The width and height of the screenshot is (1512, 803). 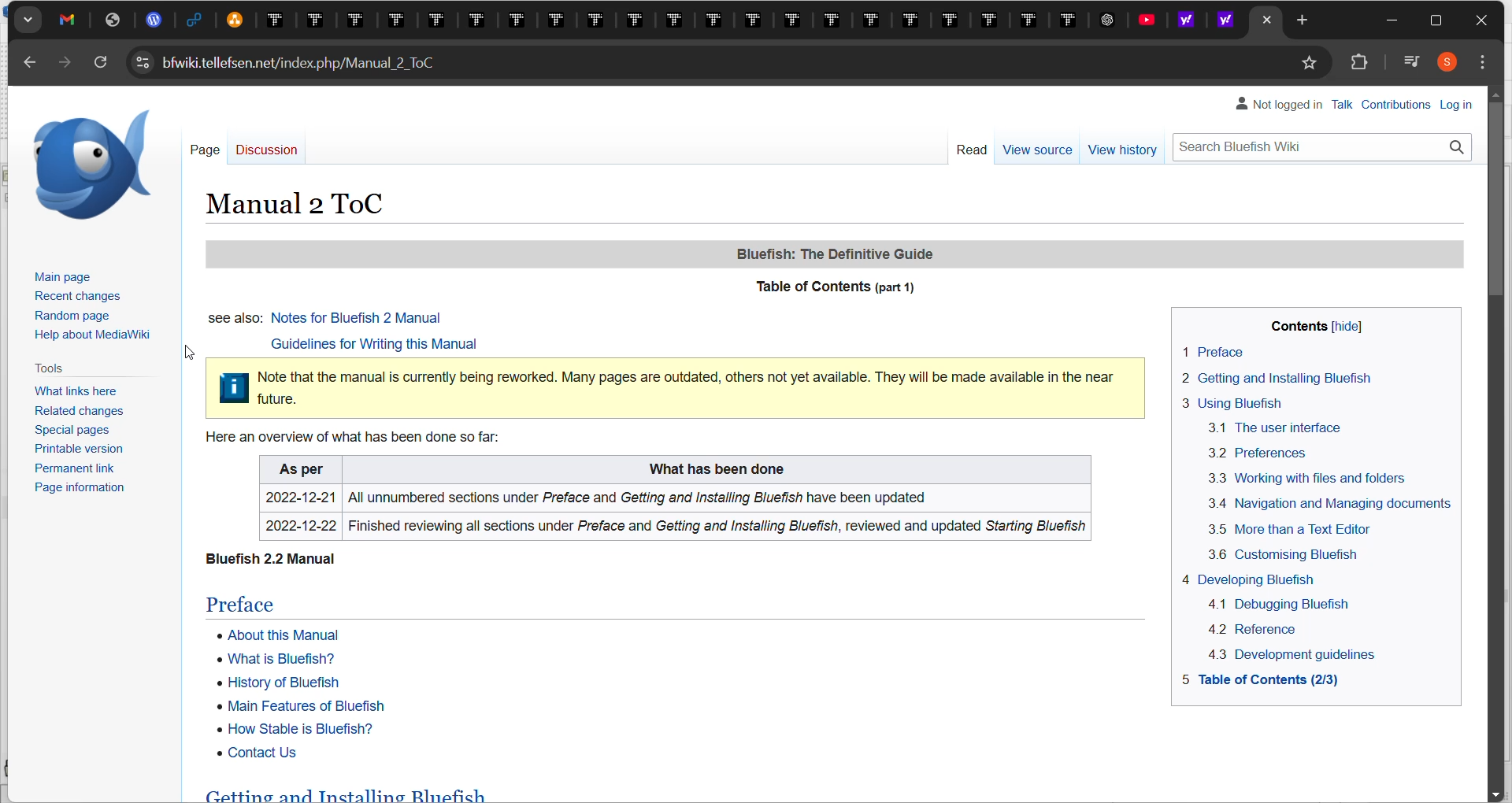 I want to click on information from user manual, so click(x=834, y=490).